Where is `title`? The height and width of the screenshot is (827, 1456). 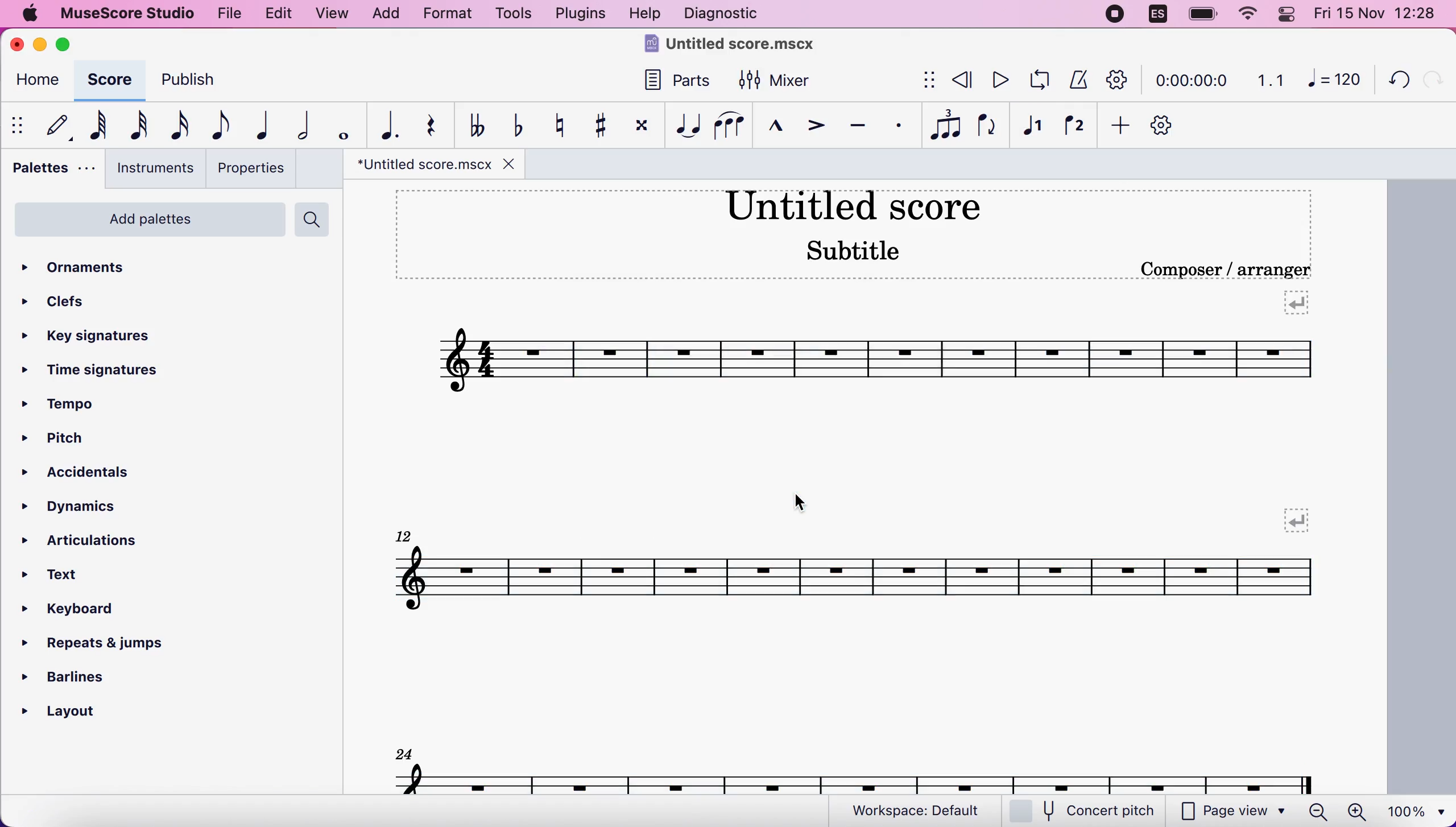 title is located at coordinates (852, 204).